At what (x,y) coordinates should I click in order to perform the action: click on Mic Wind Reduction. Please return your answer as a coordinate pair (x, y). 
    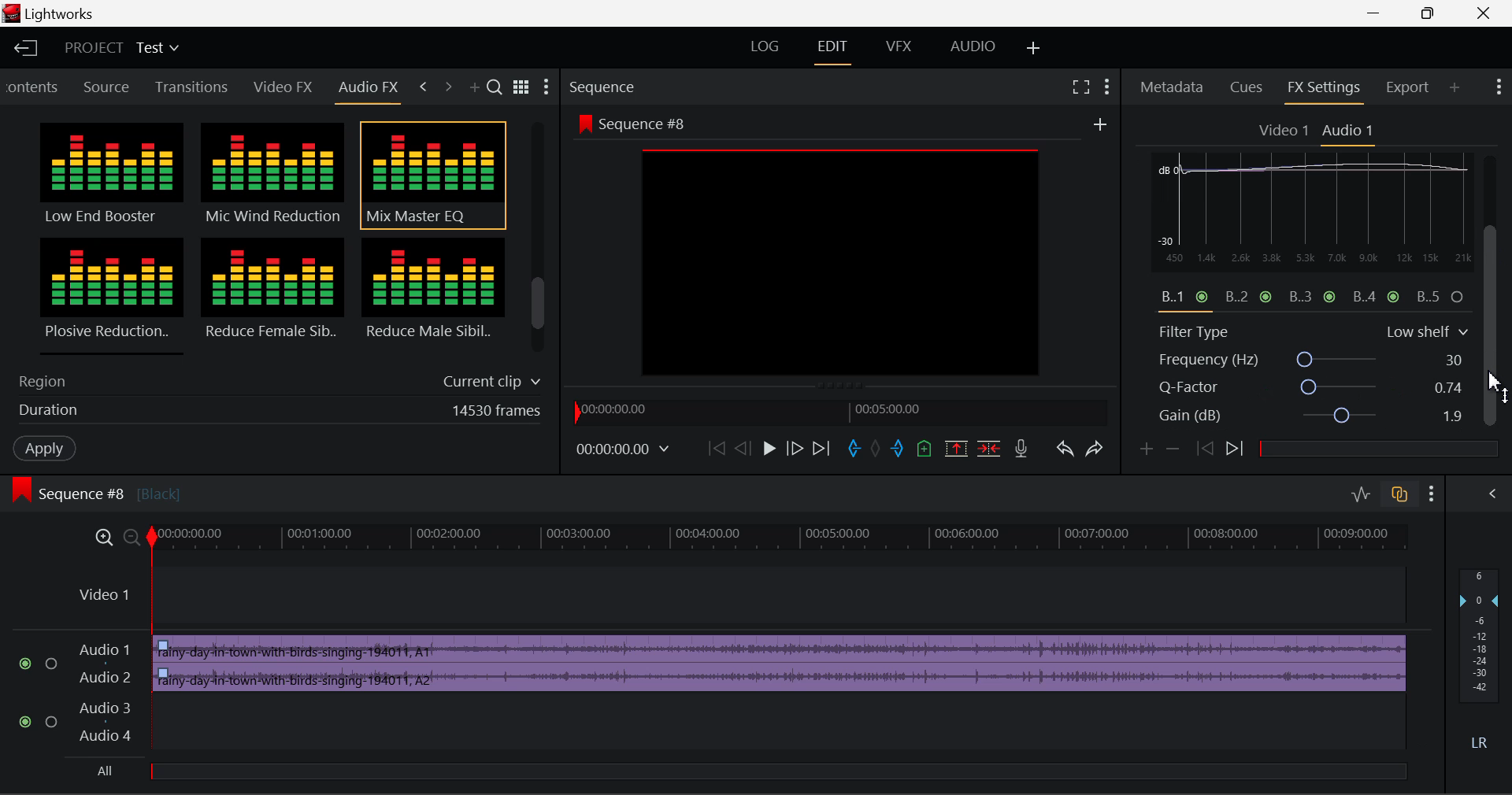
    Looking at the image, I should click on (273, 176).